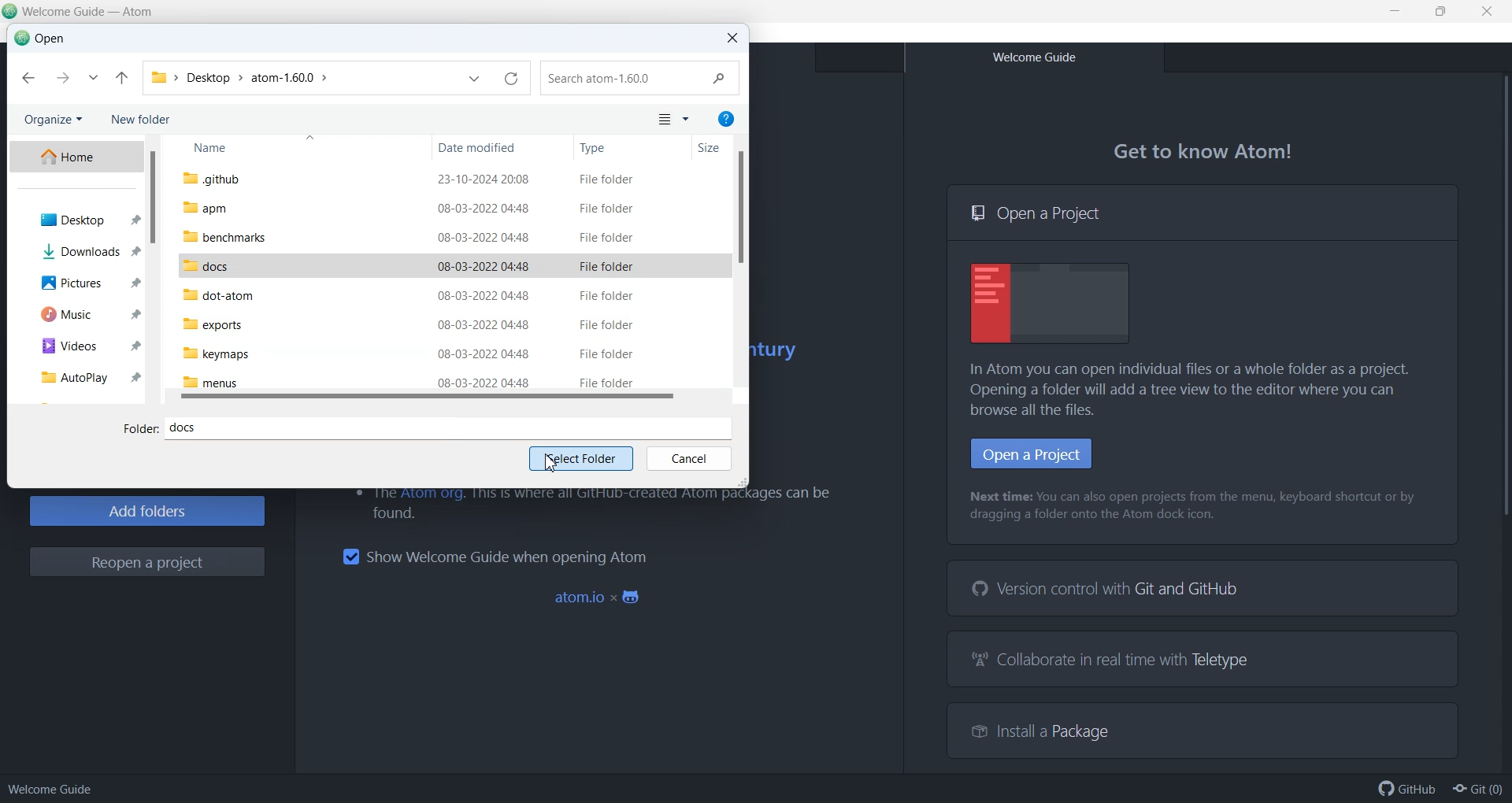  Describe the element at coordinates (484, 354) in the screenshot. I see `08-03-2022 04:48` at that location.